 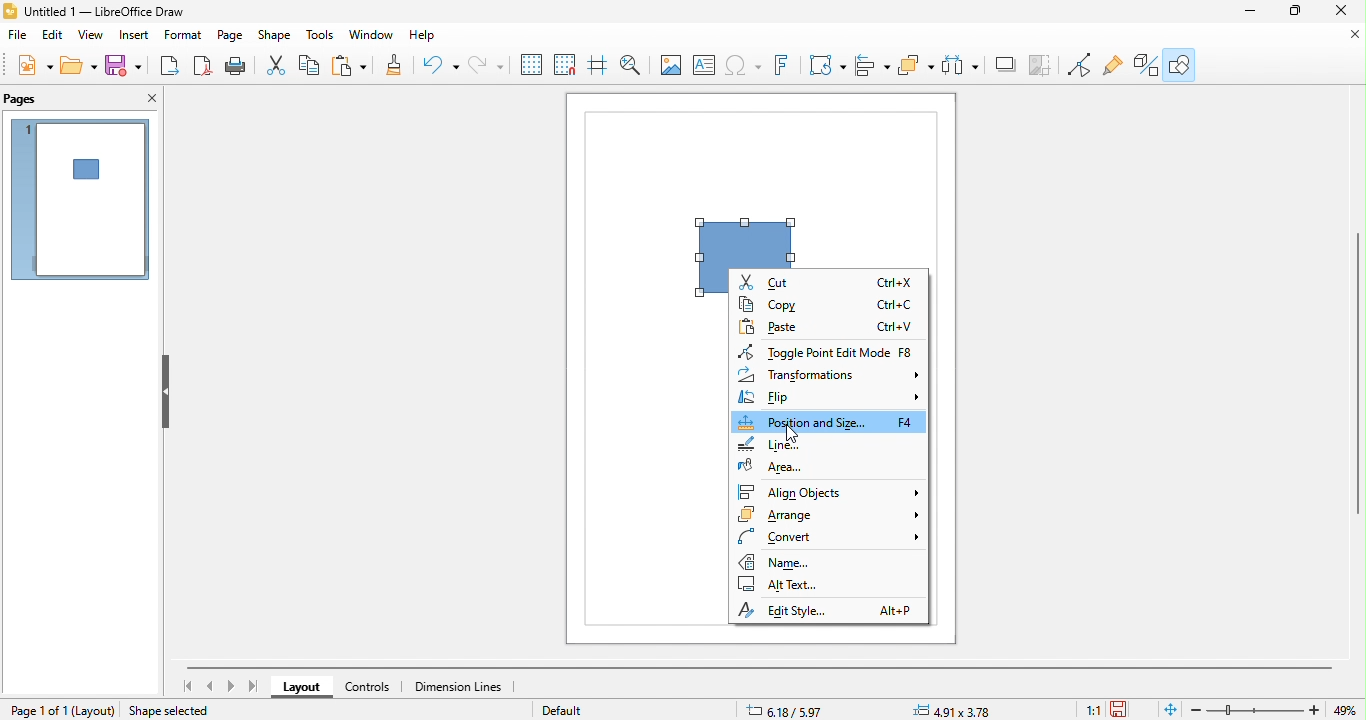 I want to click on layout, so click(x=304, y=688).